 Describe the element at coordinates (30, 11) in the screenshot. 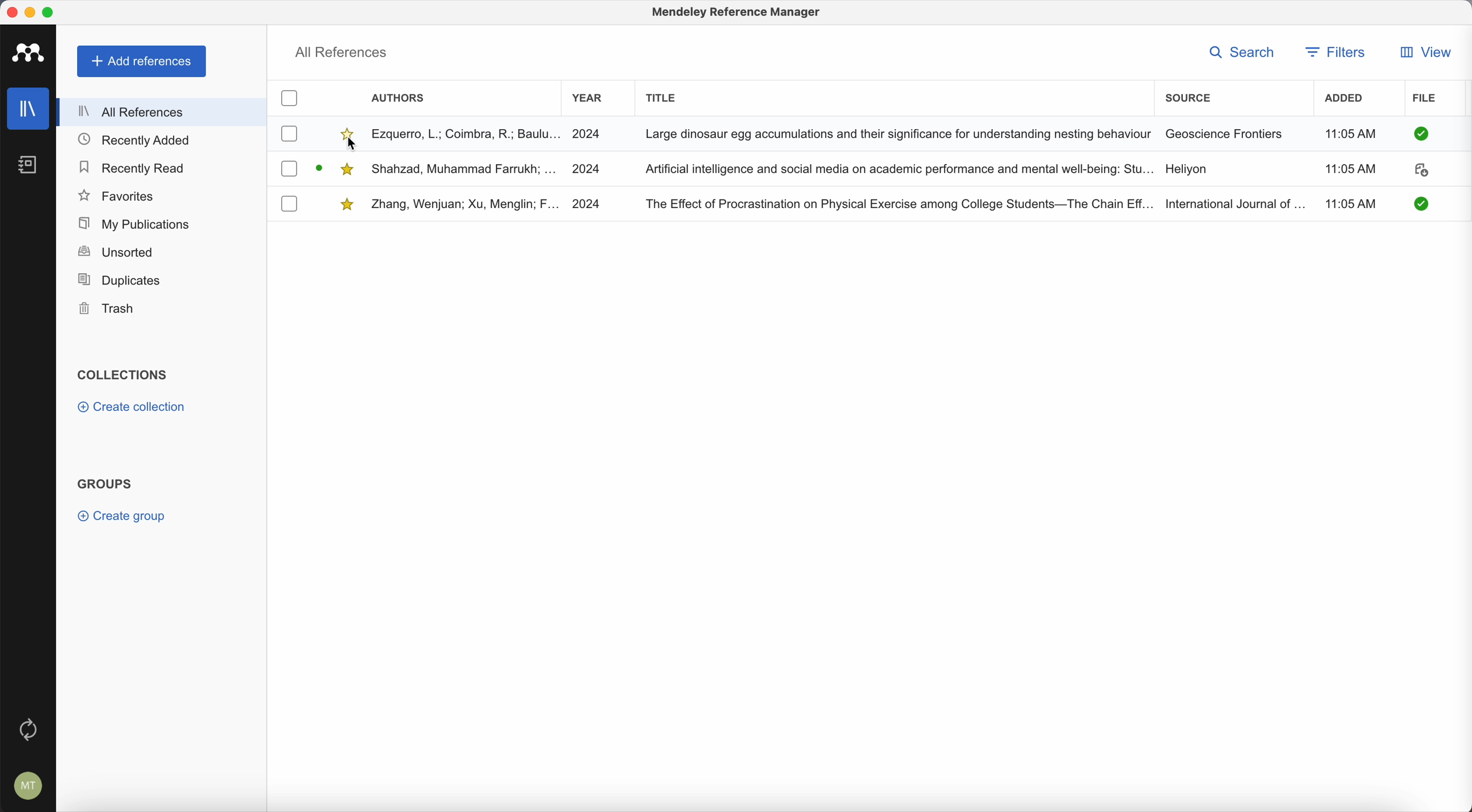

I see `minimize program` at that location.